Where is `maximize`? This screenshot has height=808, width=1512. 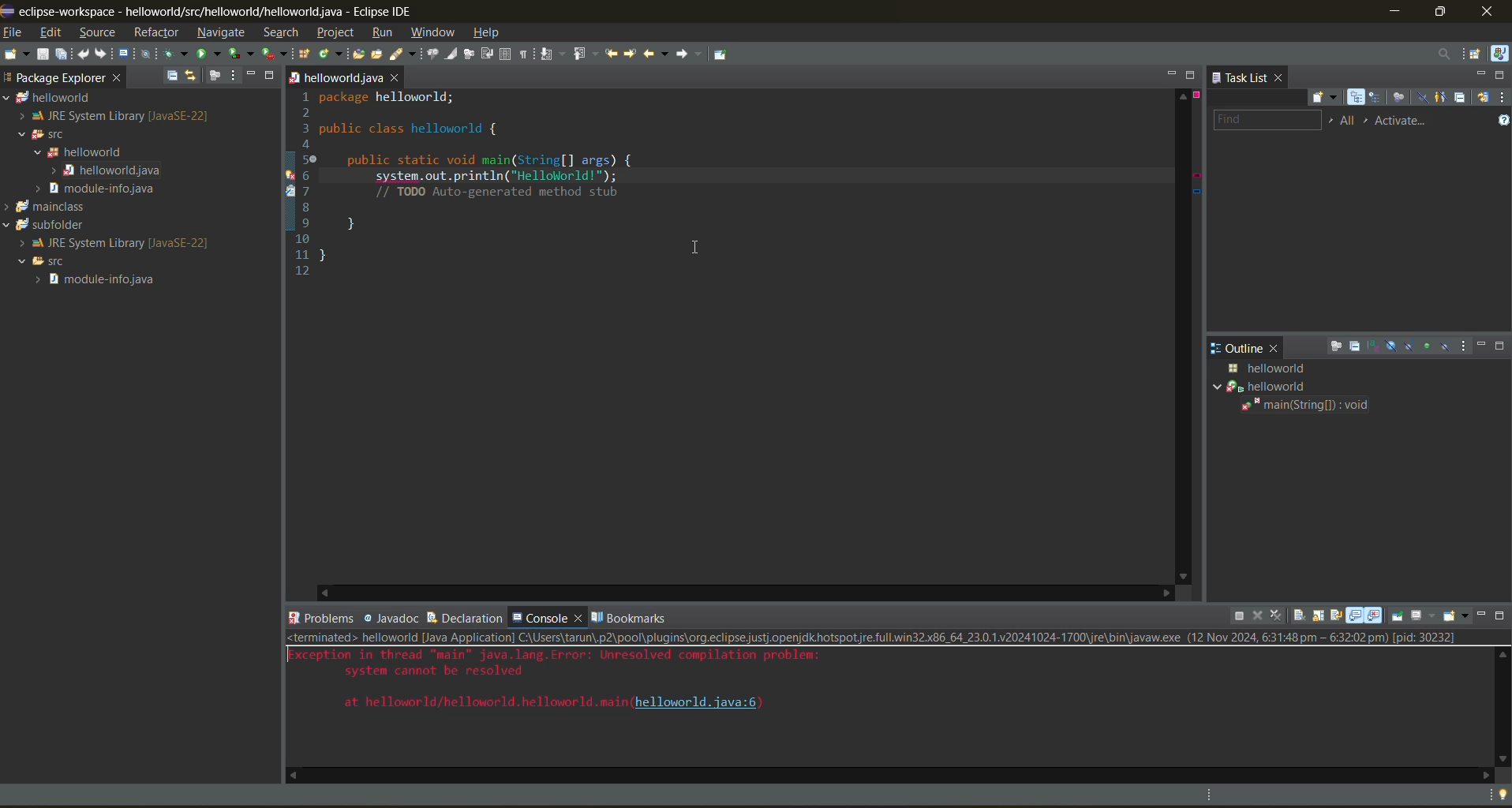 maximize is located at coordinates (1192, 75).